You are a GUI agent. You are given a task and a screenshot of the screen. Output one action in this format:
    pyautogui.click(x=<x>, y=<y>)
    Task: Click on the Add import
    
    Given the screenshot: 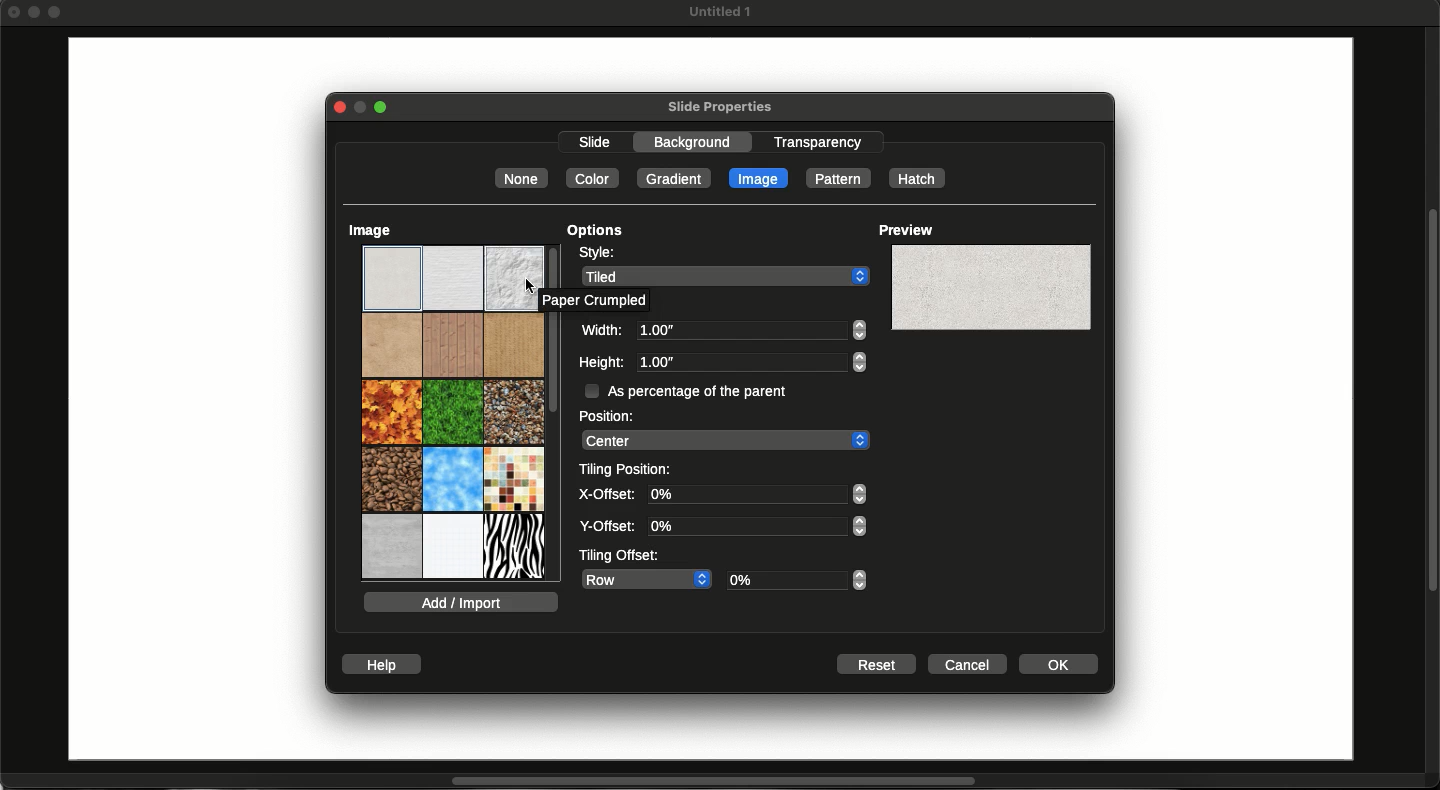 What is the action you would take?
    pyautogui.click(x=461, y=602)
    